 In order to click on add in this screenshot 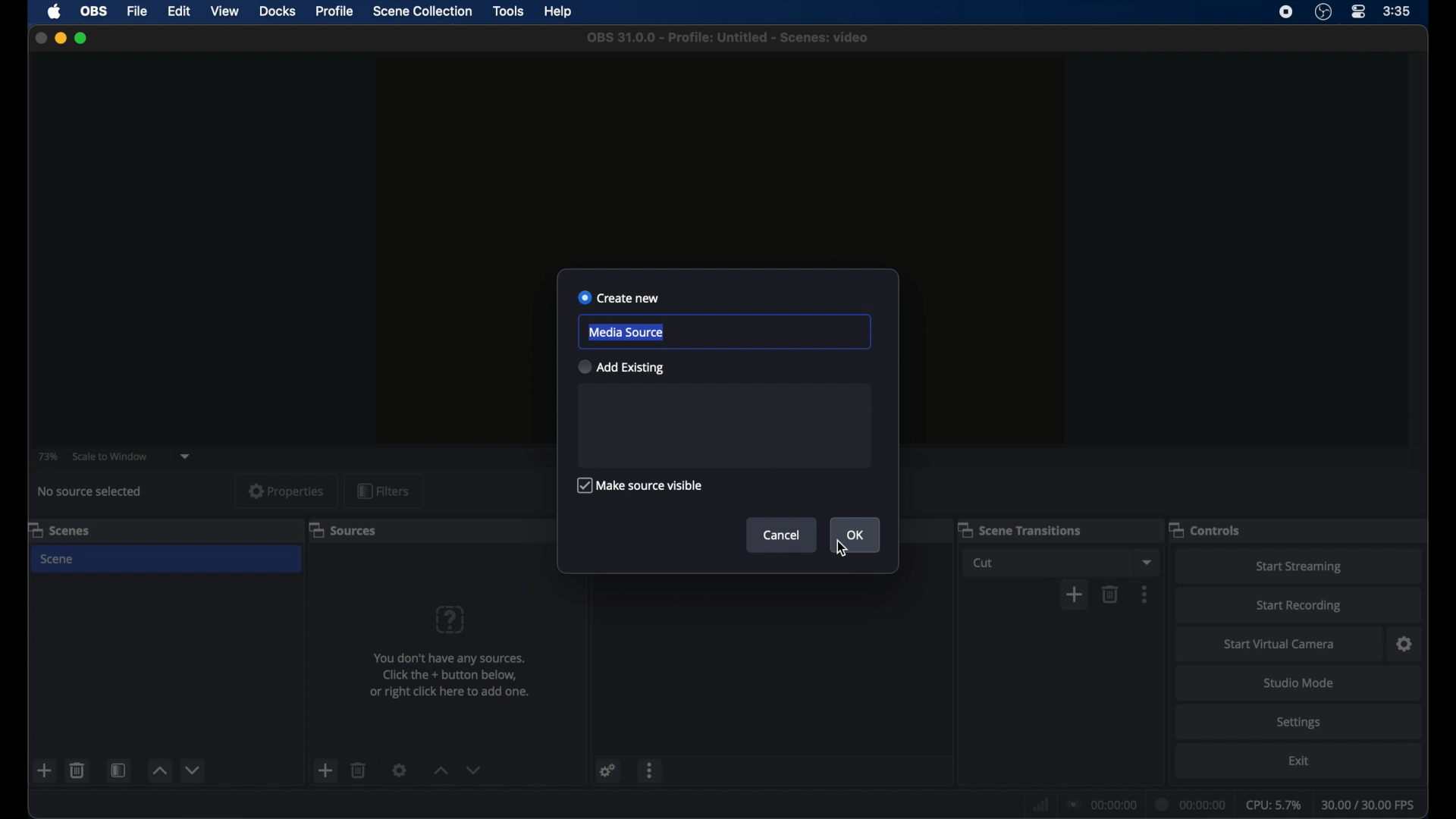, I will do `click(45, 770)`.